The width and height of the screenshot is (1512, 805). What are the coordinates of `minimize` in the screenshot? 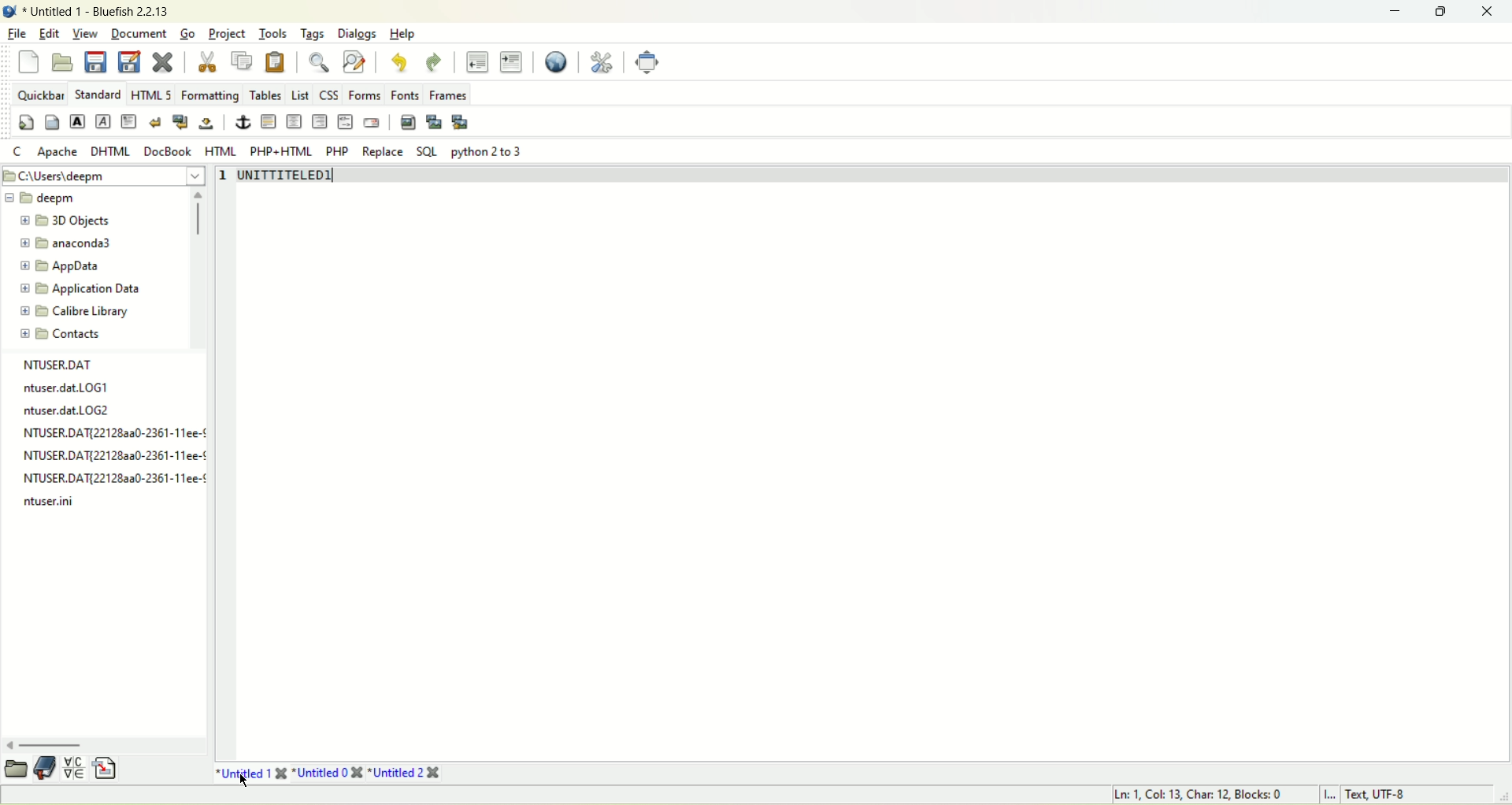 It's located at (1397, 9).